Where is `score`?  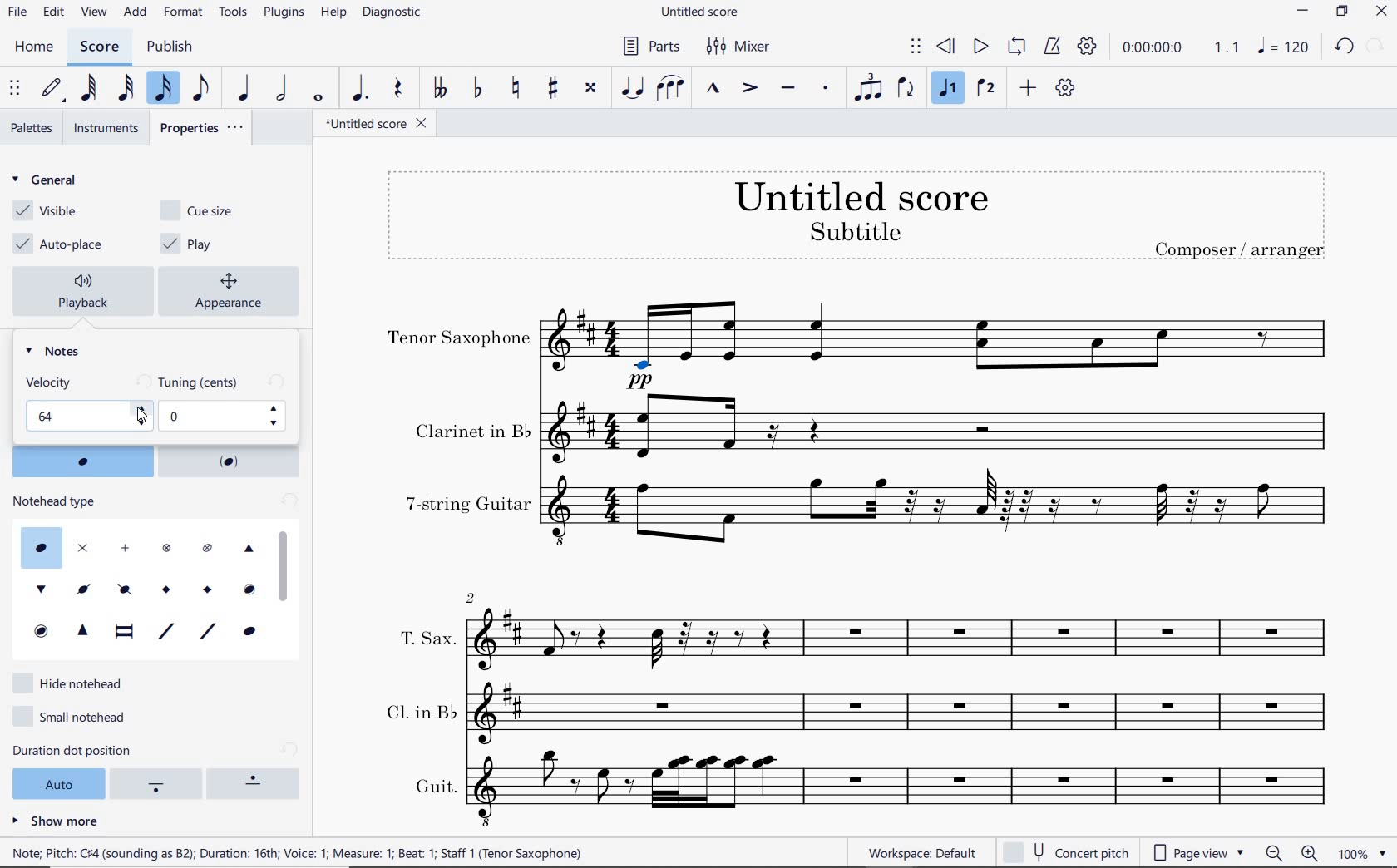
score is located at coordinates (99, 48).